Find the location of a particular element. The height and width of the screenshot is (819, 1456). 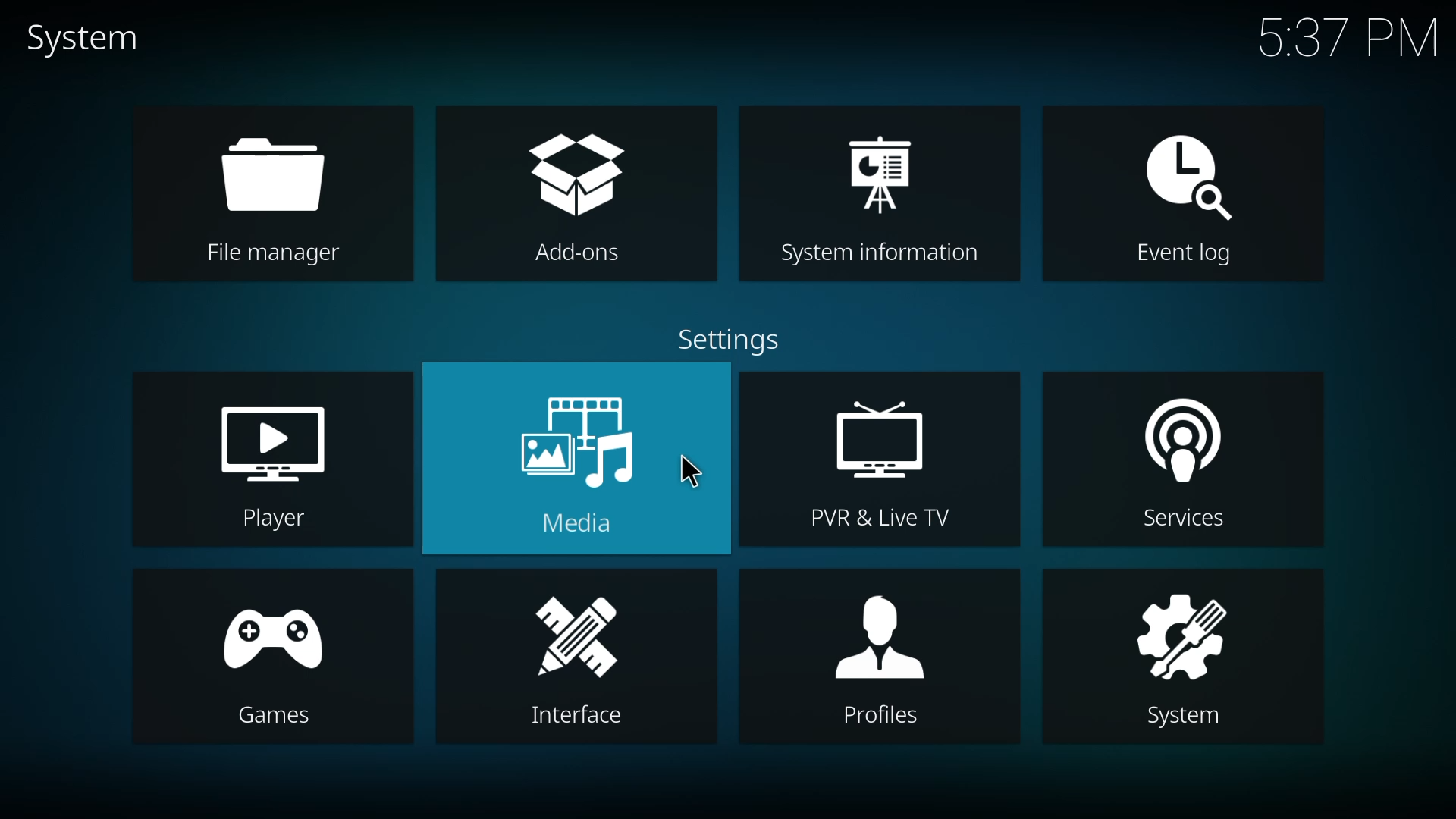

Media is located at coordinates (566, 525).